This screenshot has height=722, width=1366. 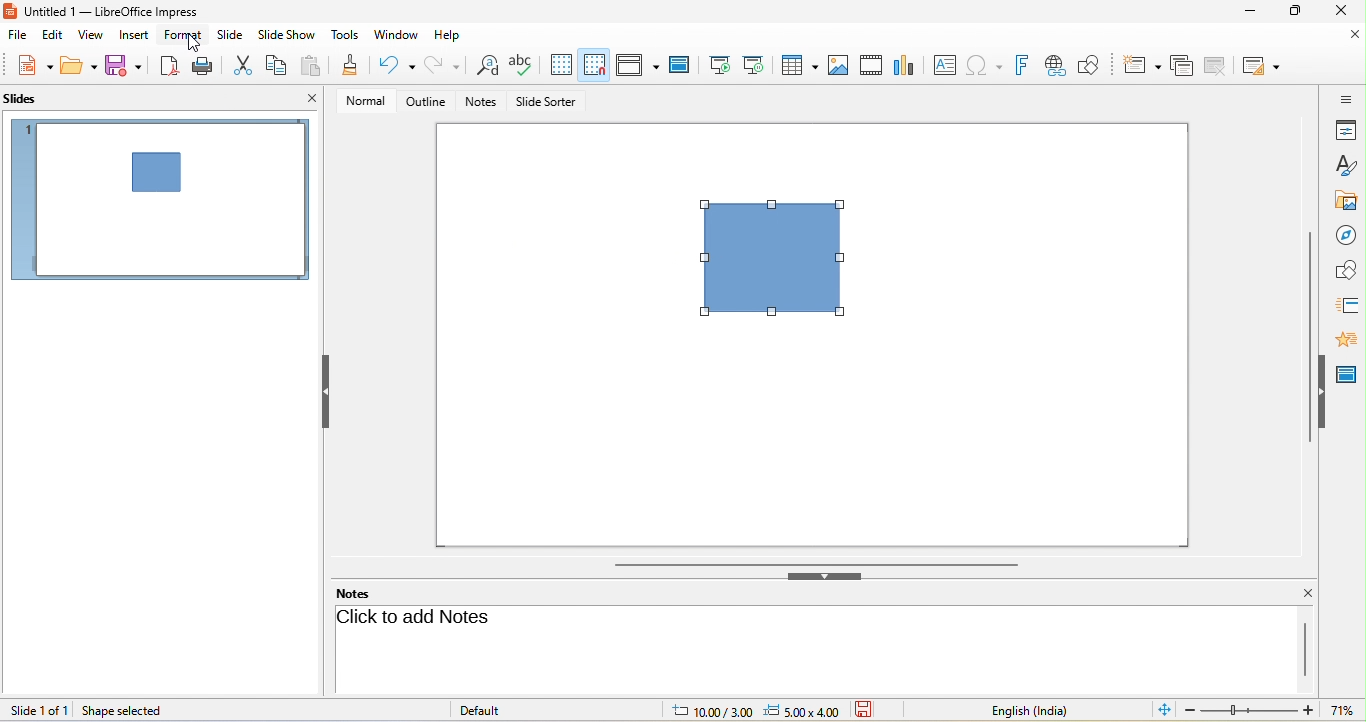 What do you see at coordinates (326, 394) in the screenshot?
I see `hide` at bounding box center [326, 394].